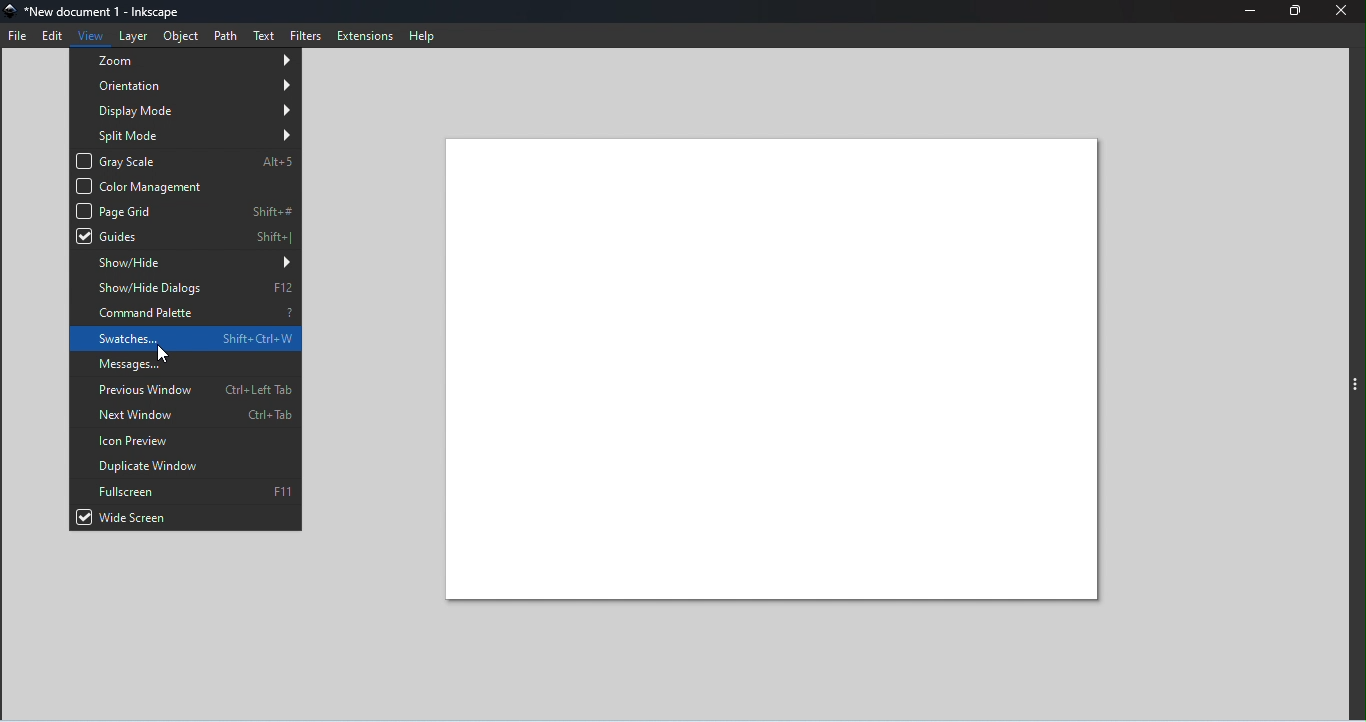 The height and width of the screenshot is (722, 1366). I want to click on Display mode, so click(185, 108).